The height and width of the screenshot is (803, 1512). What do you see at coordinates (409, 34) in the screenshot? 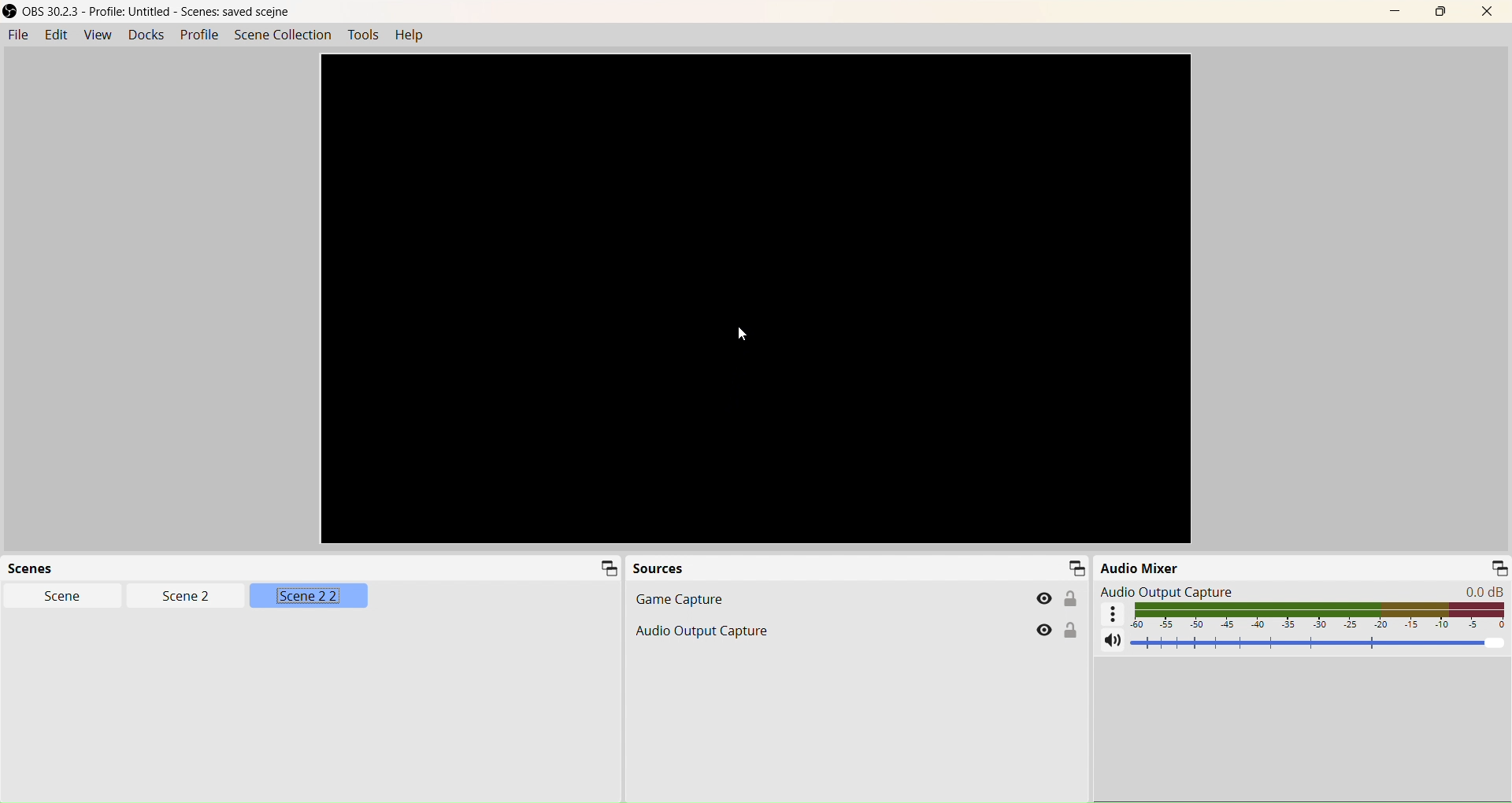
I see `Help` at bounding box center [409, 34].